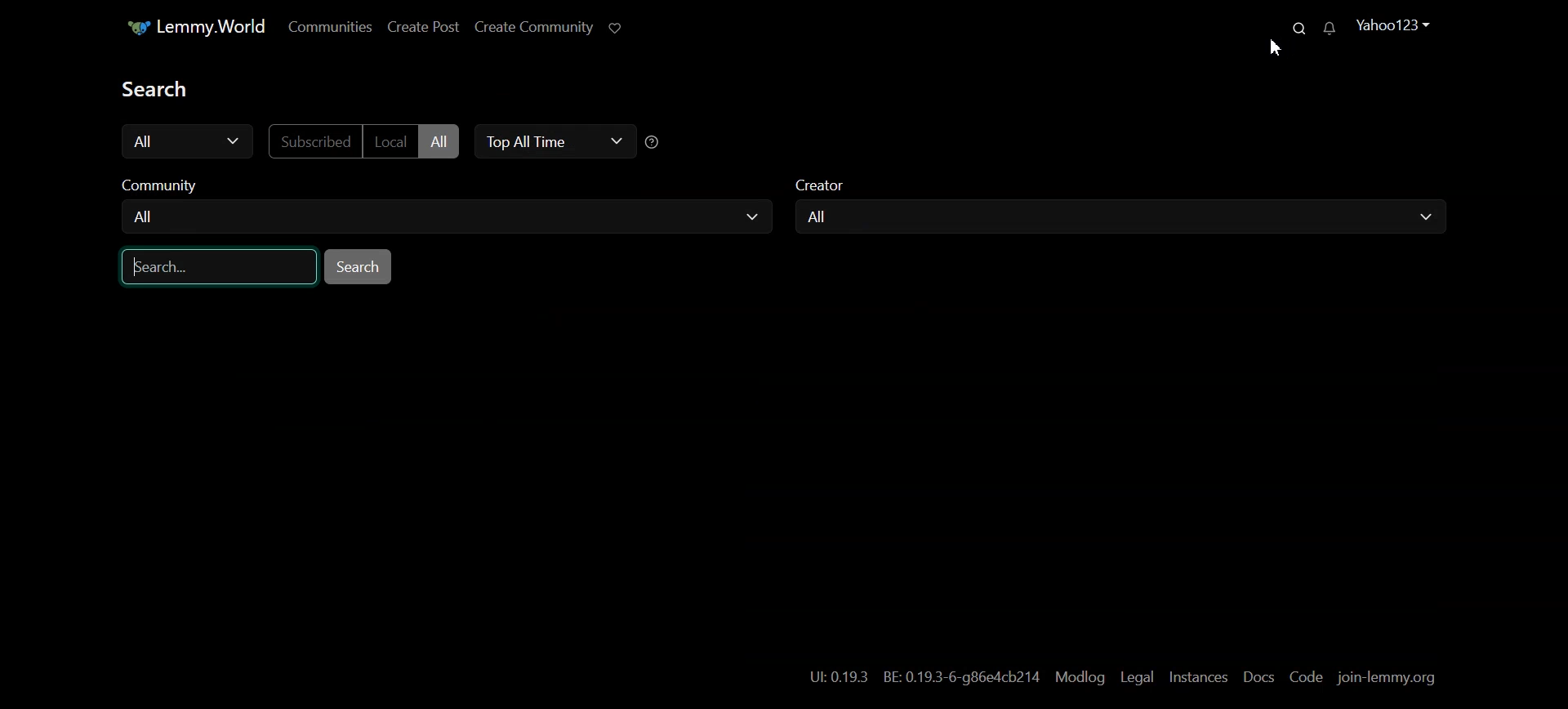 Image resolution: width=1568 pixels, height=709 pixels. I want to click on Unread Messages, so click(1329, 30).